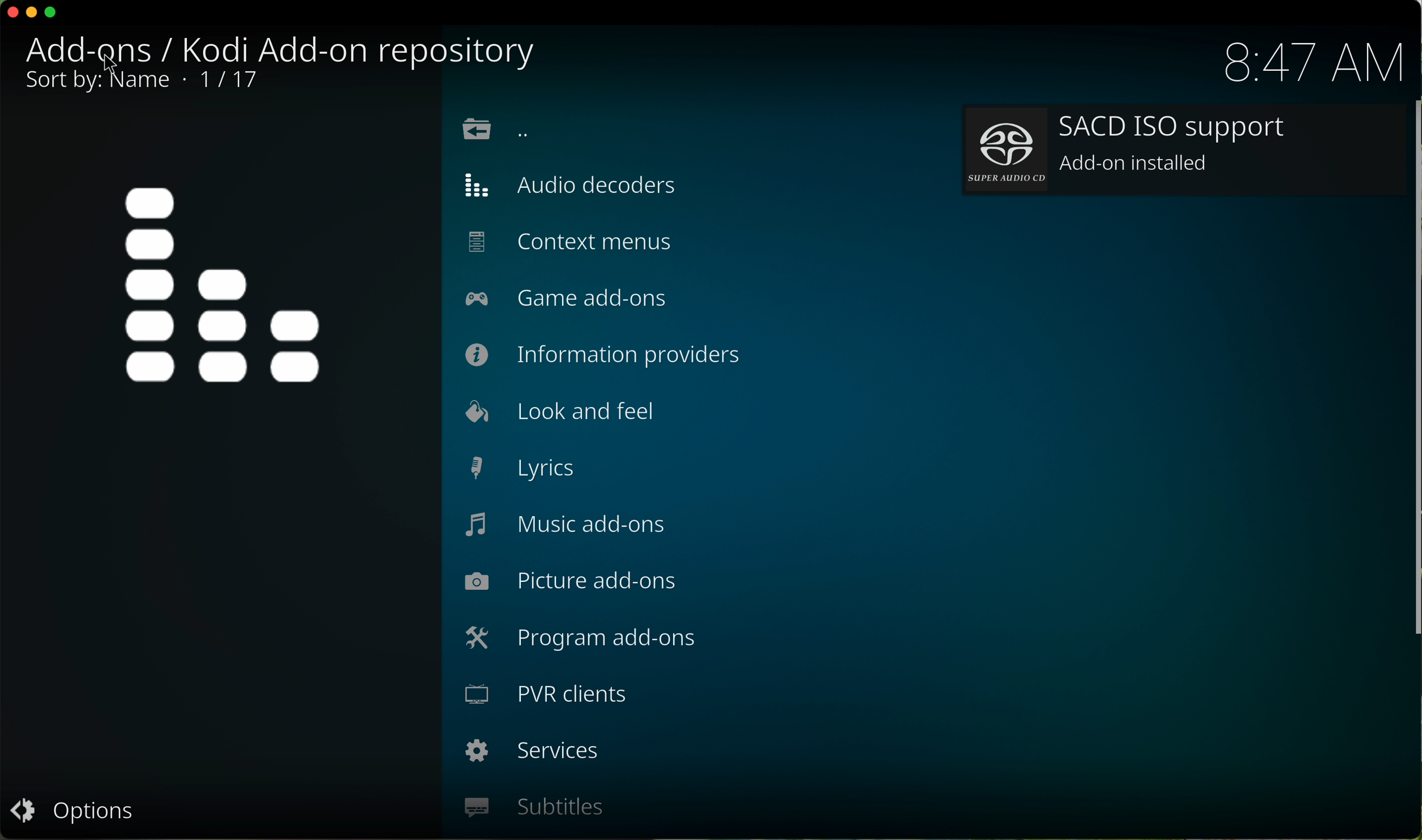 The image size is (1422, 840). Describe the element at coordinates (499, 128) in the screenshot. I see `location back` at that location.